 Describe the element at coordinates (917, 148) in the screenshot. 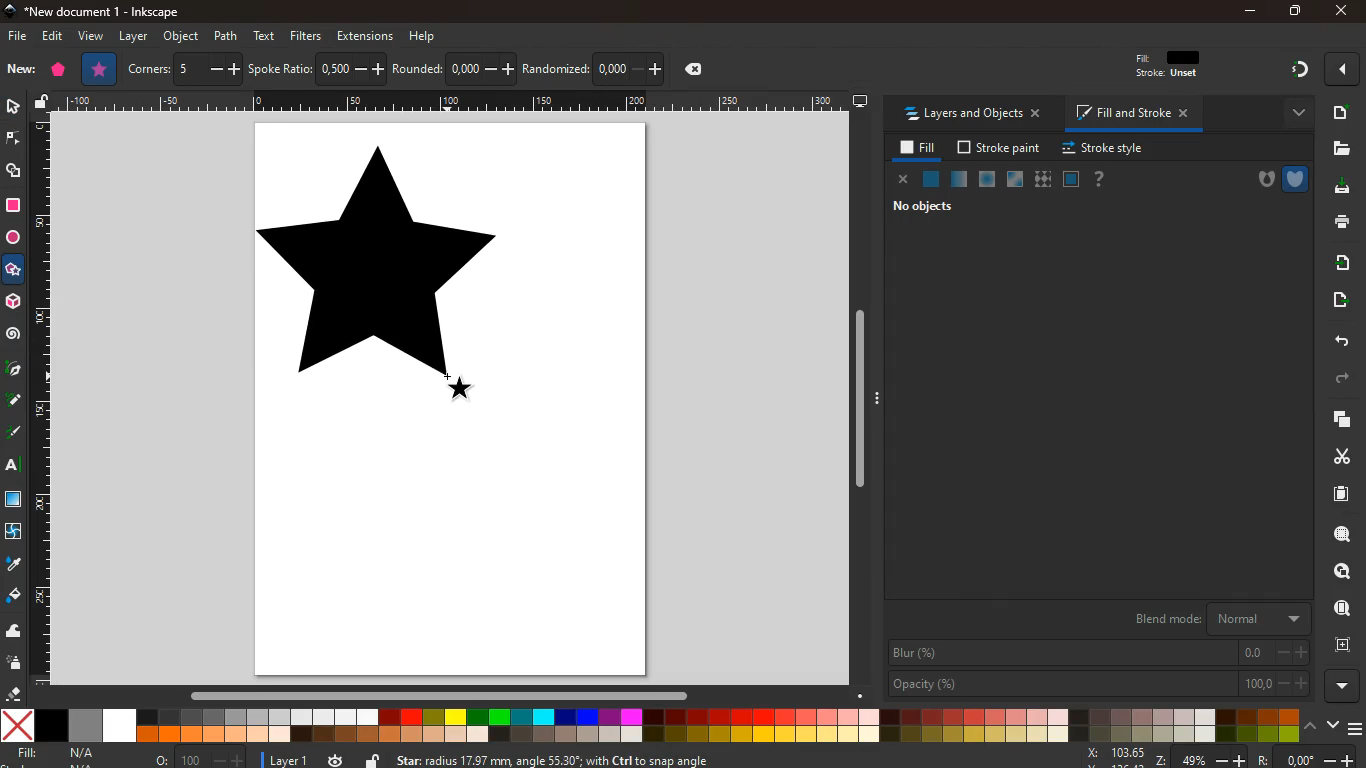

I see `fill` at that location.